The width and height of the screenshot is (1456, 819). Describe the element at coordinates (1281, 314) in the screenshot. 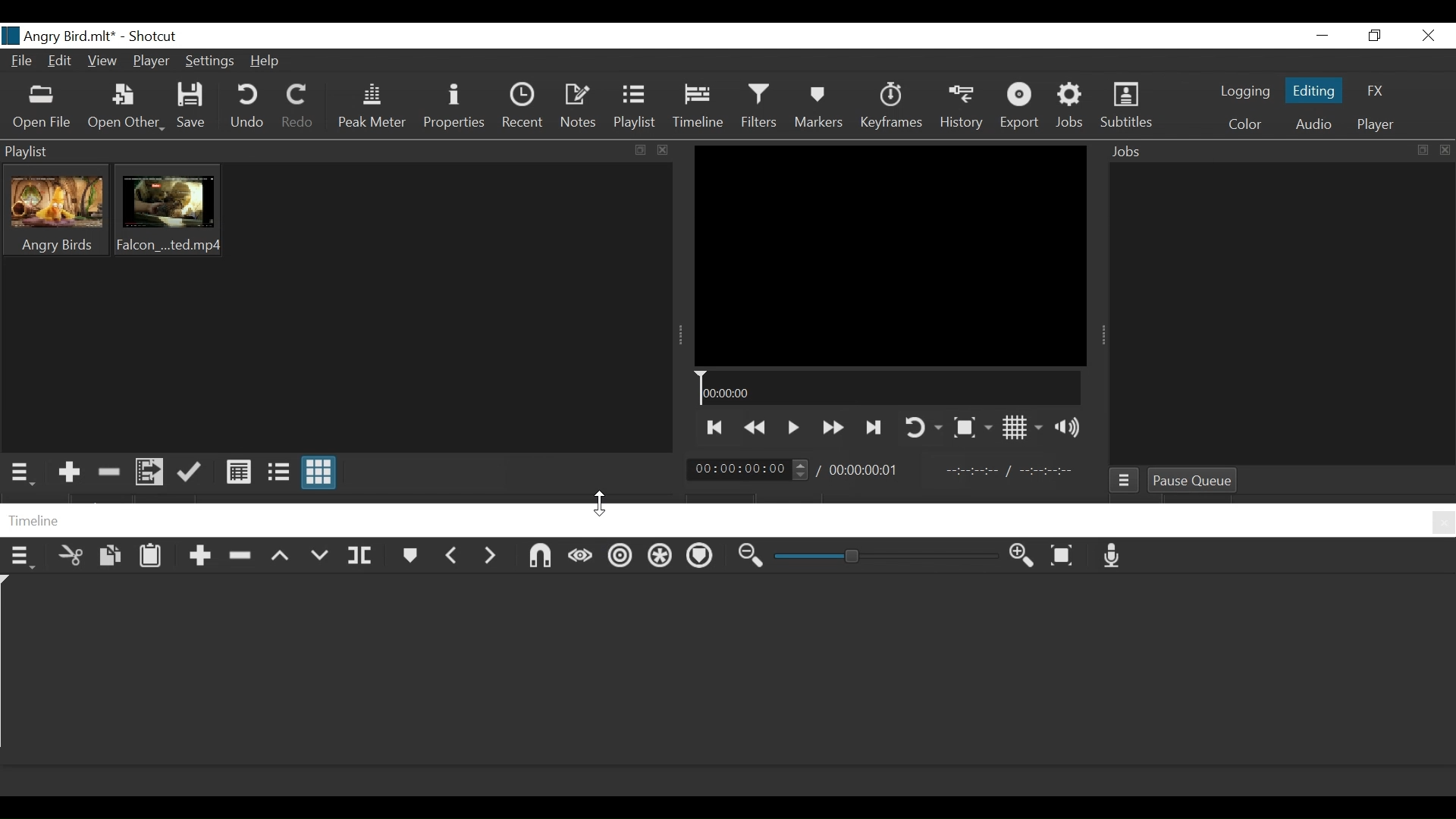

I see `Jobs Panel` at that location.